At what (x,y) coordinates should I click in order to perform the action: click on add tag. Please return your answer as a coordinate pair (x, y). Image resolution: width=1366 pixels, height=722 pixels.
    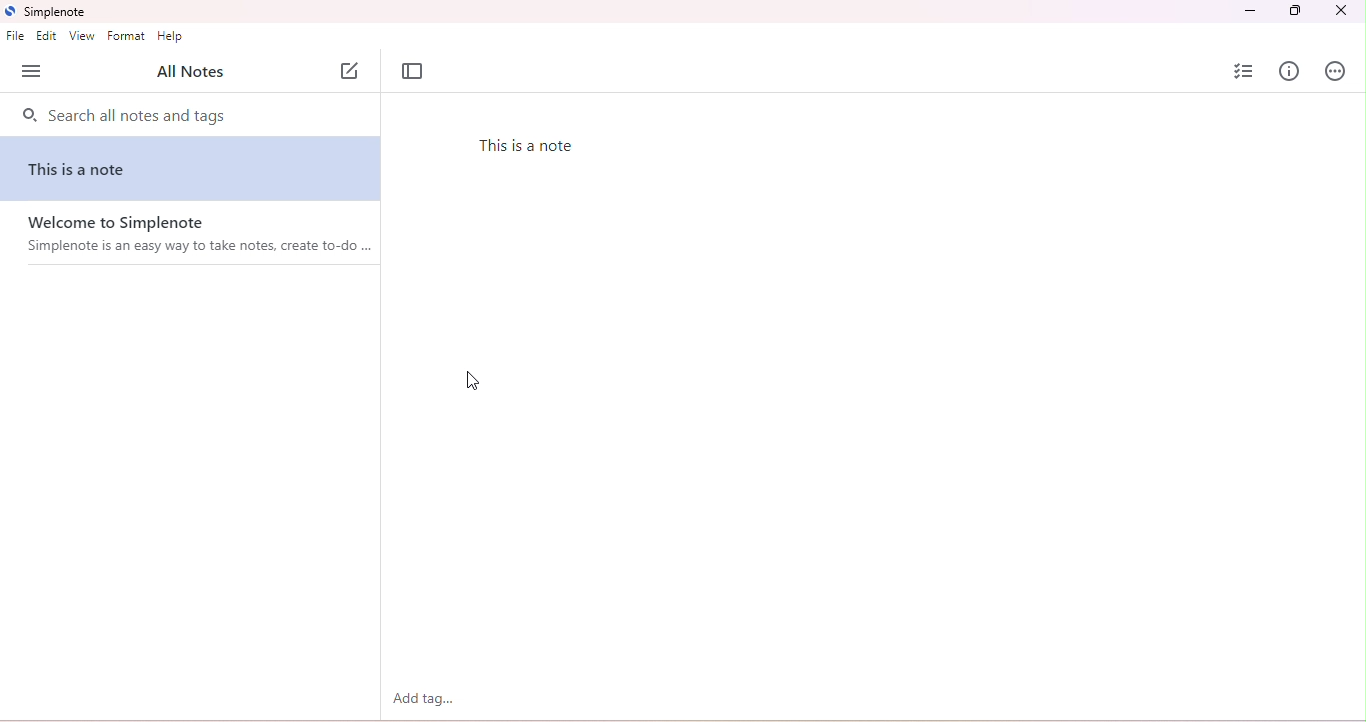
    Looking at the image, I should click on (423, 698).